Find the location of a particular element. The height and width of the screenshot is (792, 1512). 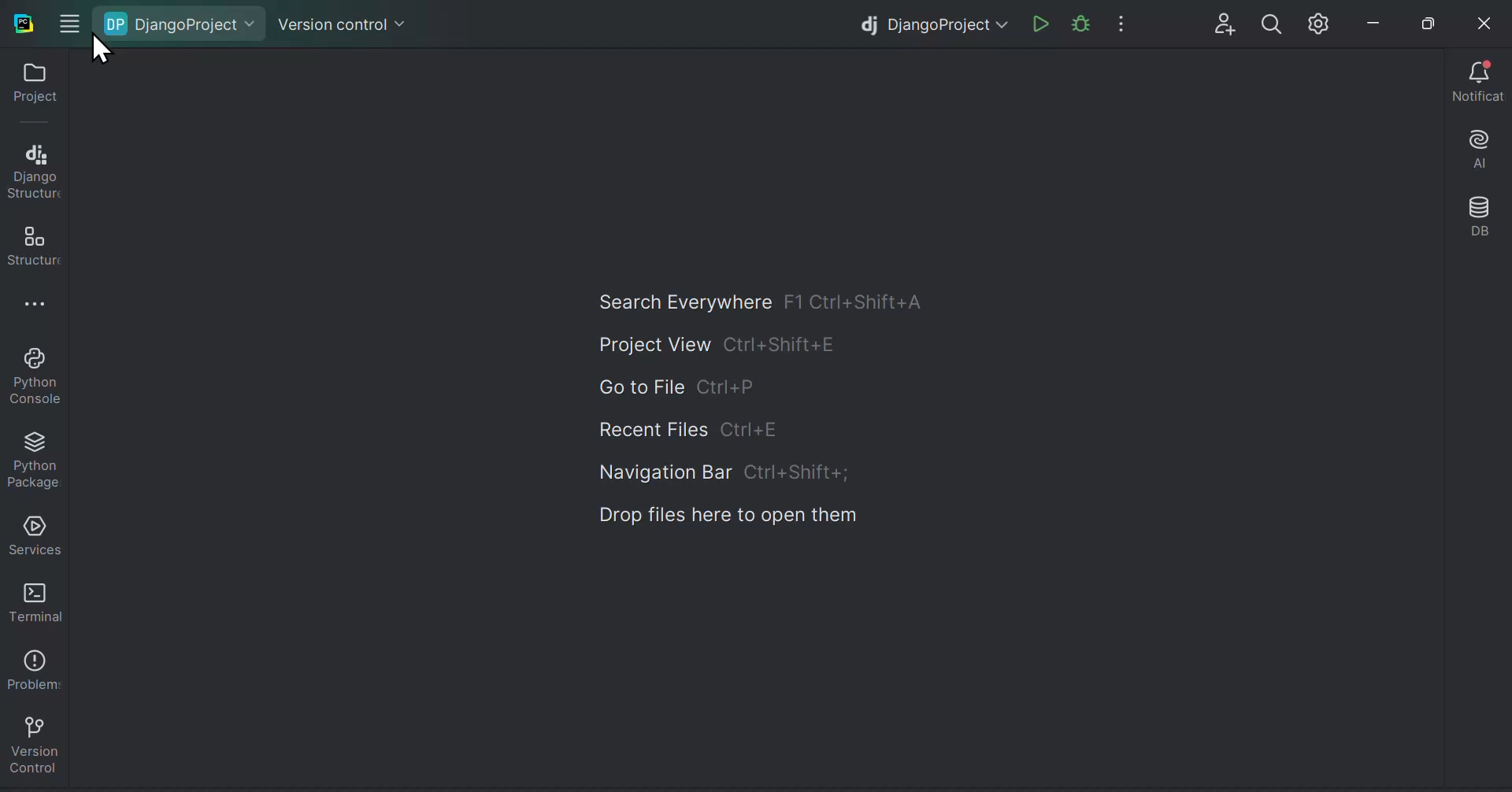

Project view is located at coordinates (721, 343).